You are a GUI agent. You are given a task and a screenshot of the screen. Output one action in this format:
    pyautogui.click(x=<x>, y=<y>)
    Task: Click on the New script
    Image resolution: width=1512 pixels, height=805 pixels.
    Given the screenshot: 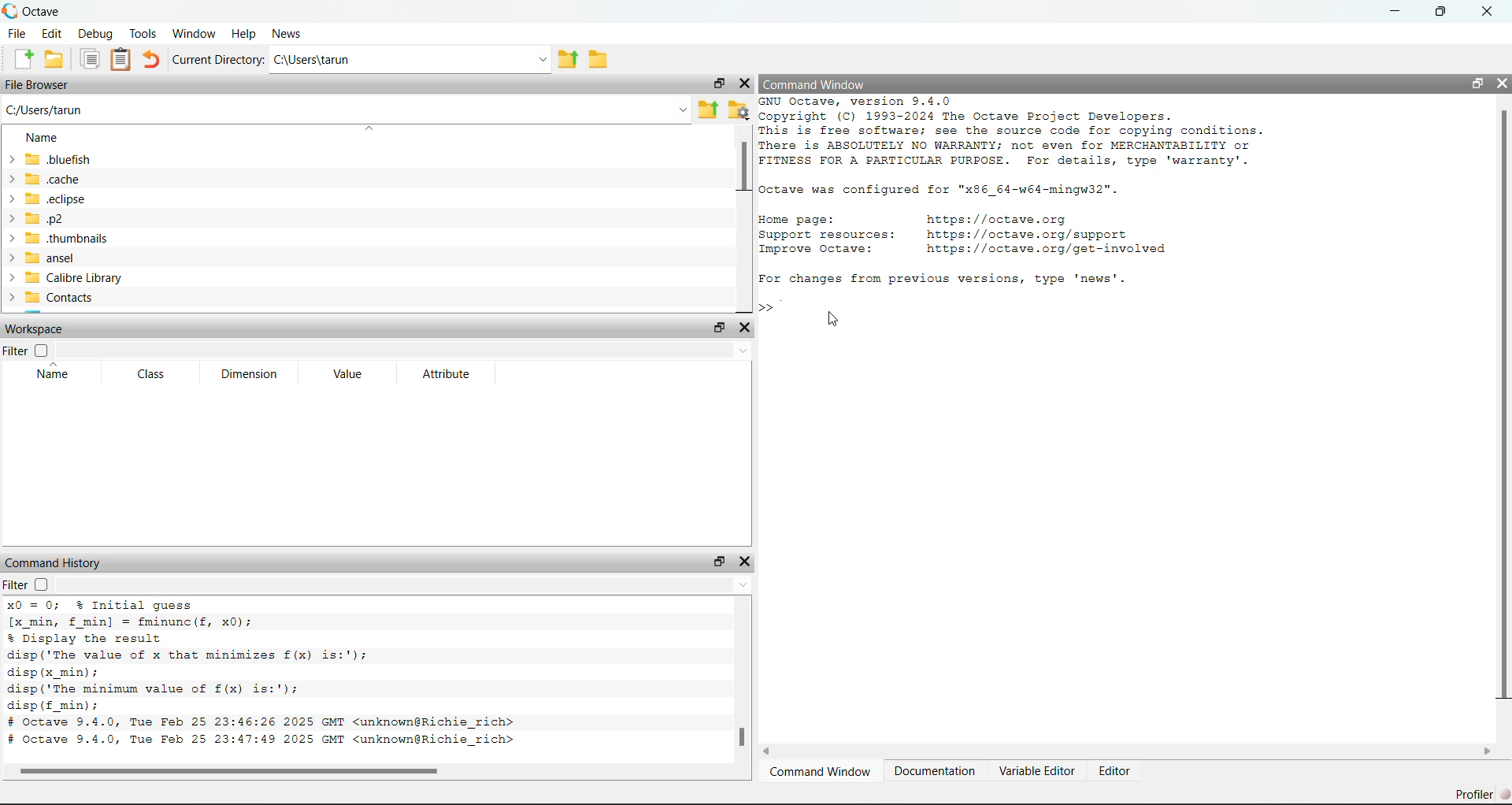 What is the action you would take?
    pyautogui.click(x=24, y=59)
    